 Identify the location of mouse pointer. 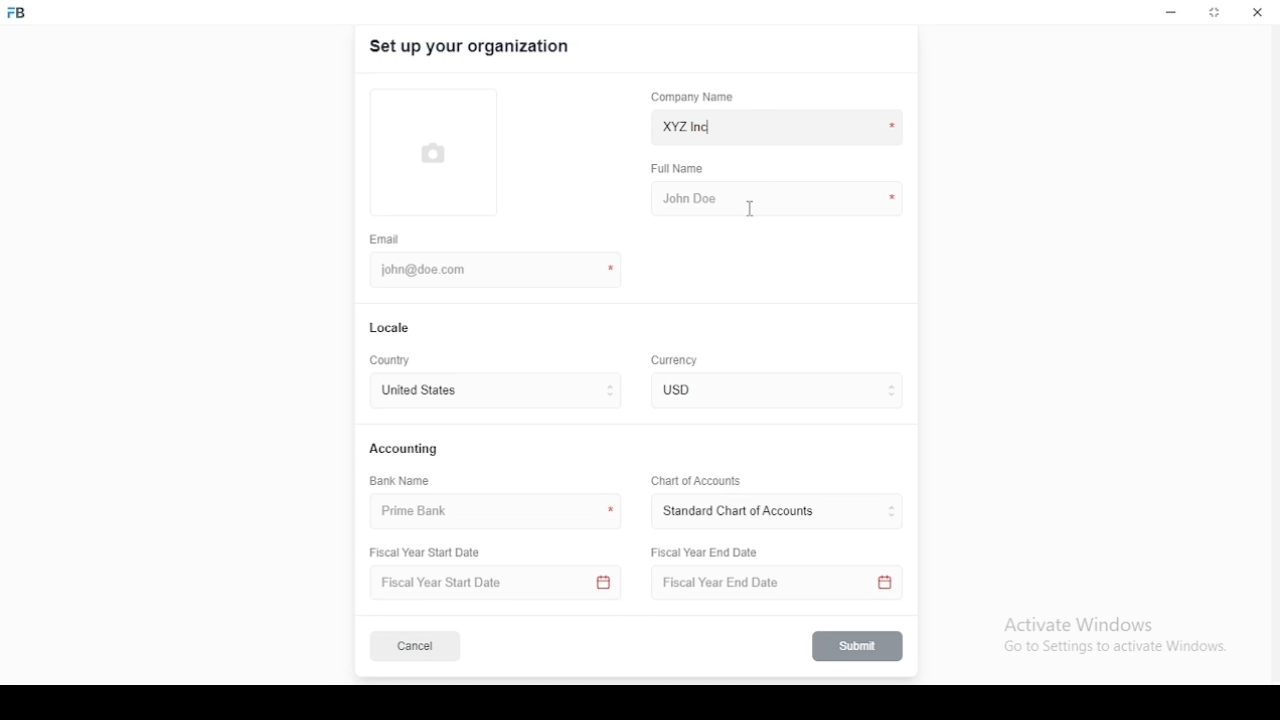
(751, 209).